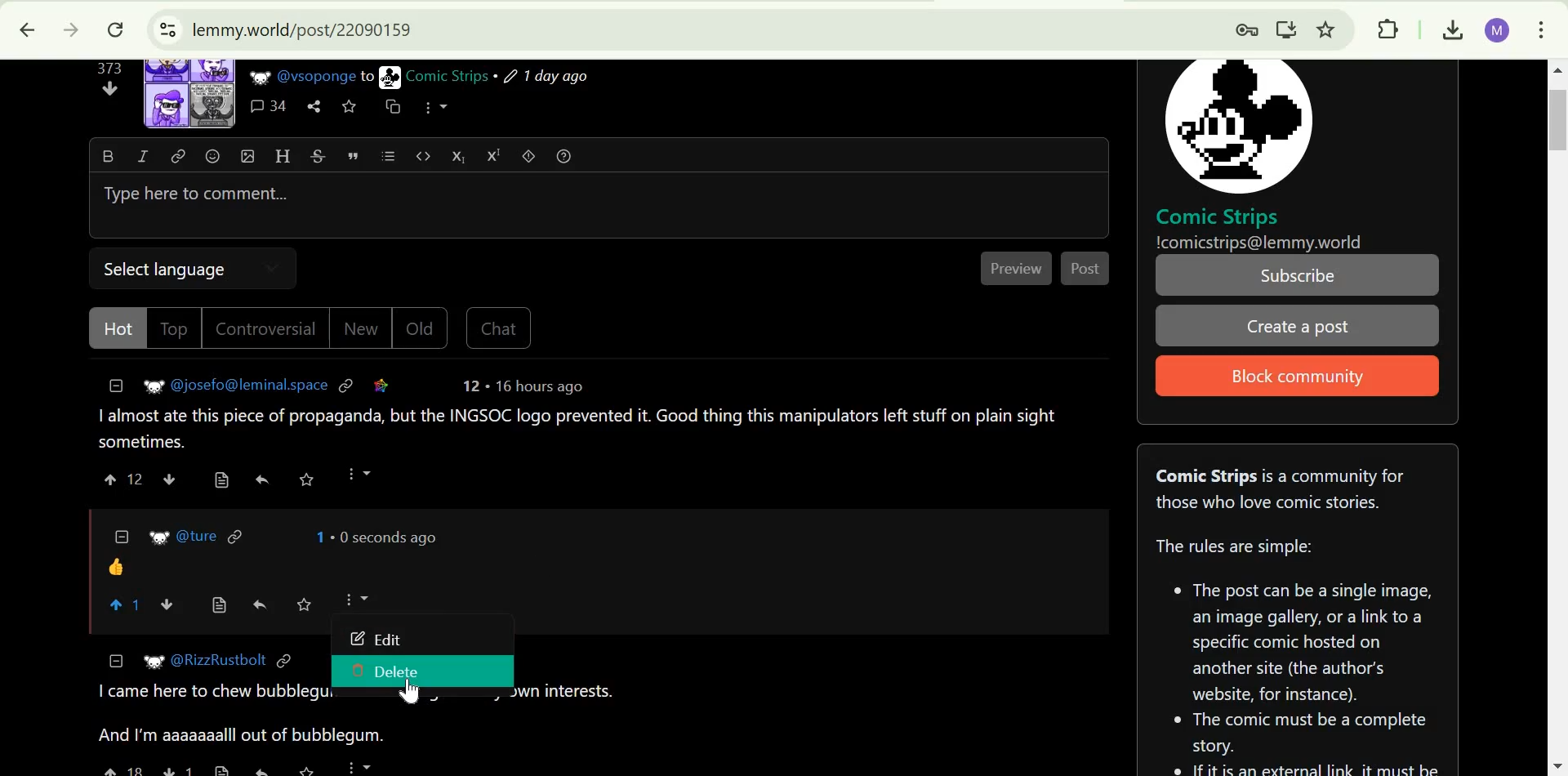 The width and height of the screenshot is (1568, 776). What do you see at coordinates (127, 605) in the screenshot?
I see `1 upvote` at bounding box center [127, 605].